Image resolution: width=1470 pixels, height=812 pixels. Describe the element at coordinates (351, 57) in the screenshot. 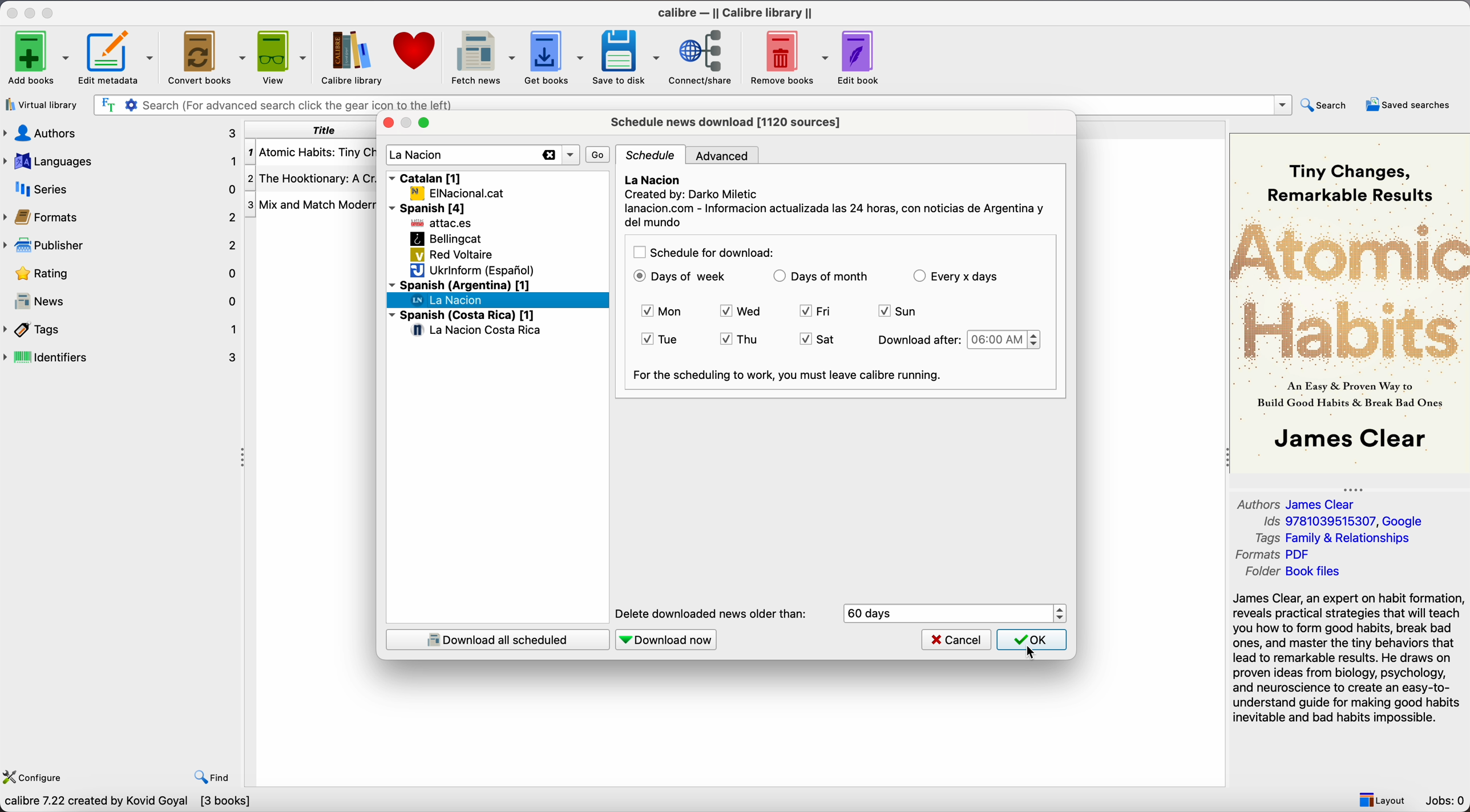

I see `Calibre library` at that location.